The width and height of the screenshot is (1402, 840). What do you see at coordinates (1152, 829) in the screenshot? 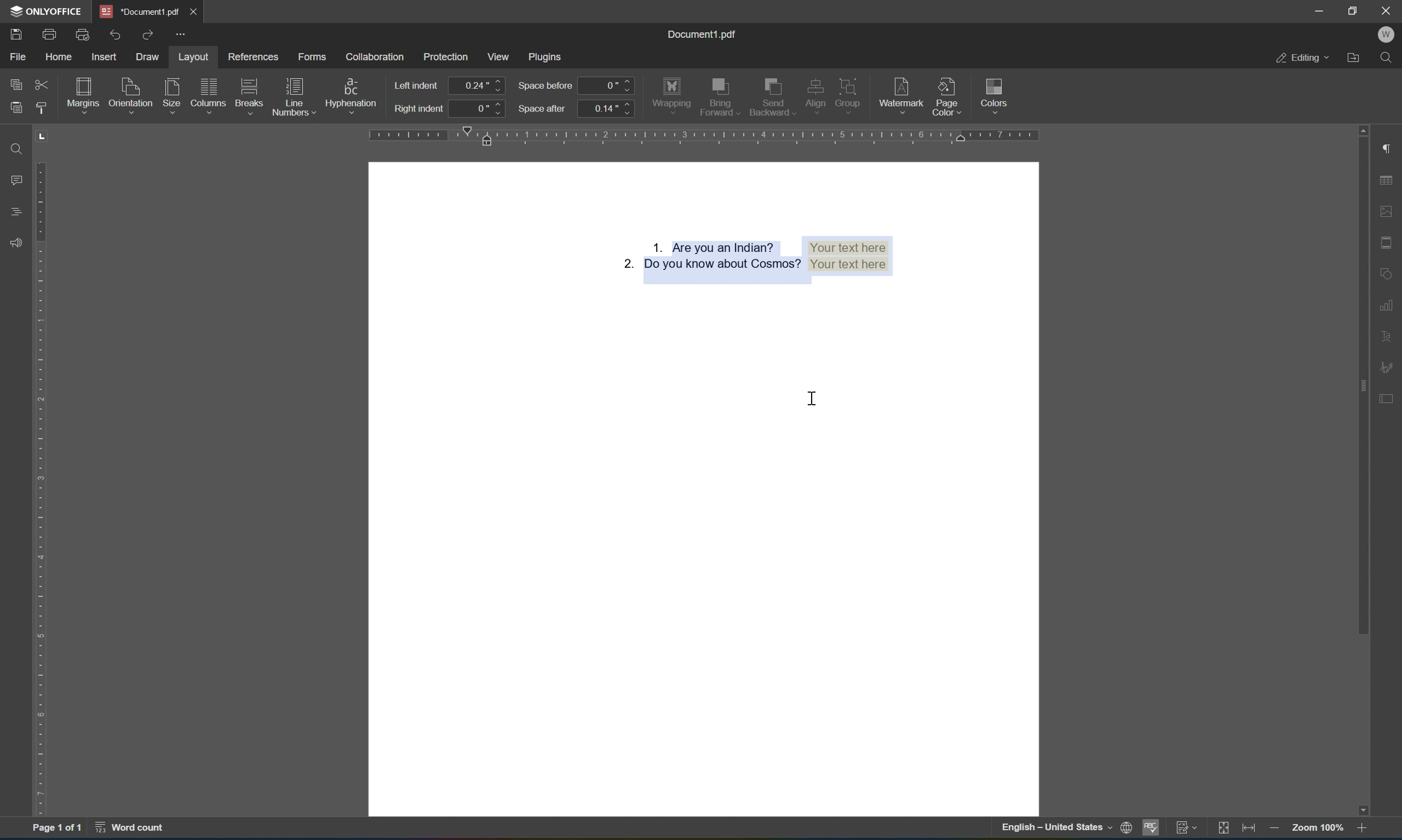
I see `spell checking` at bounding box center [1152, 829].